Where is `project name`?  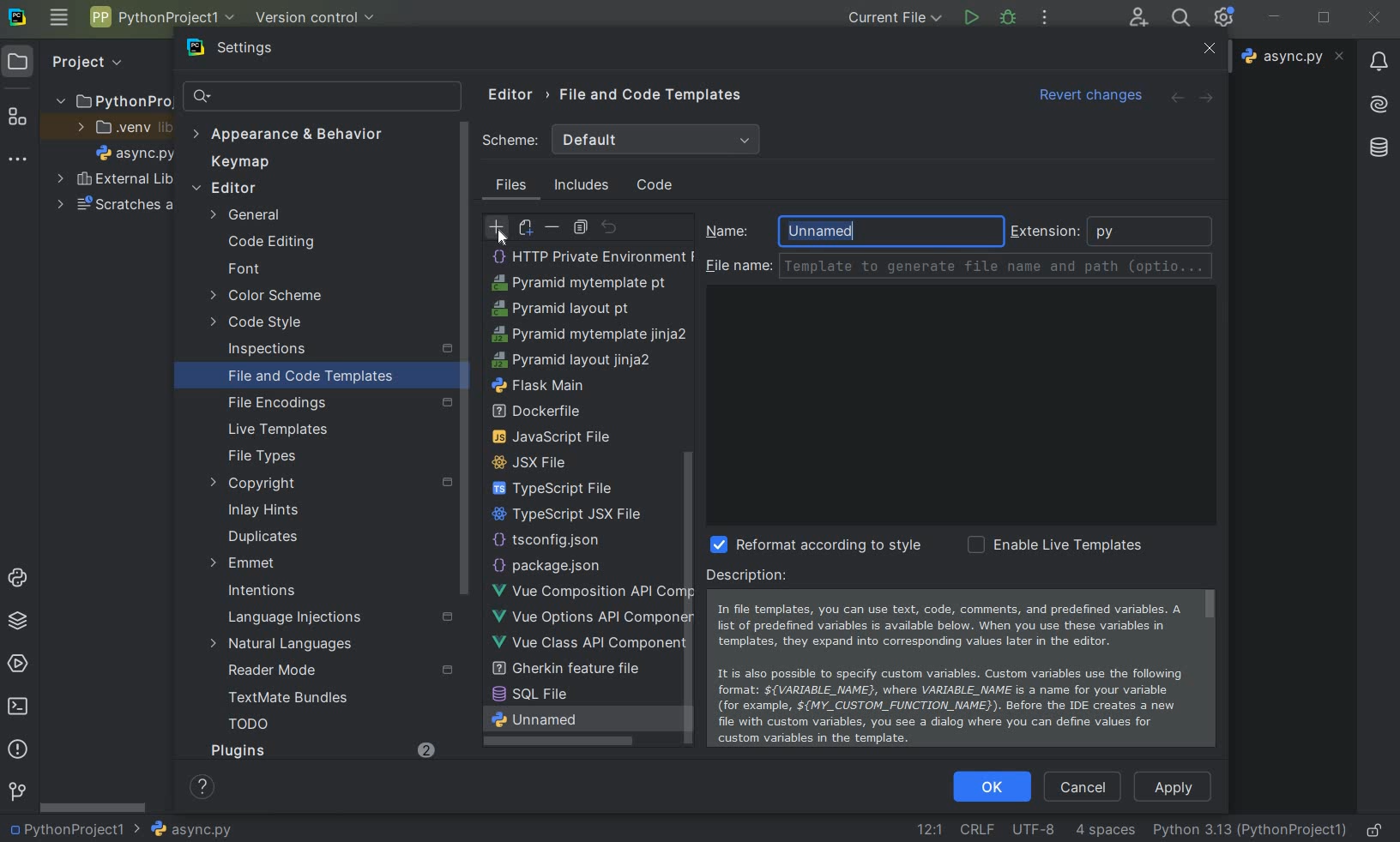
project name is located at coordinates (74, 831).